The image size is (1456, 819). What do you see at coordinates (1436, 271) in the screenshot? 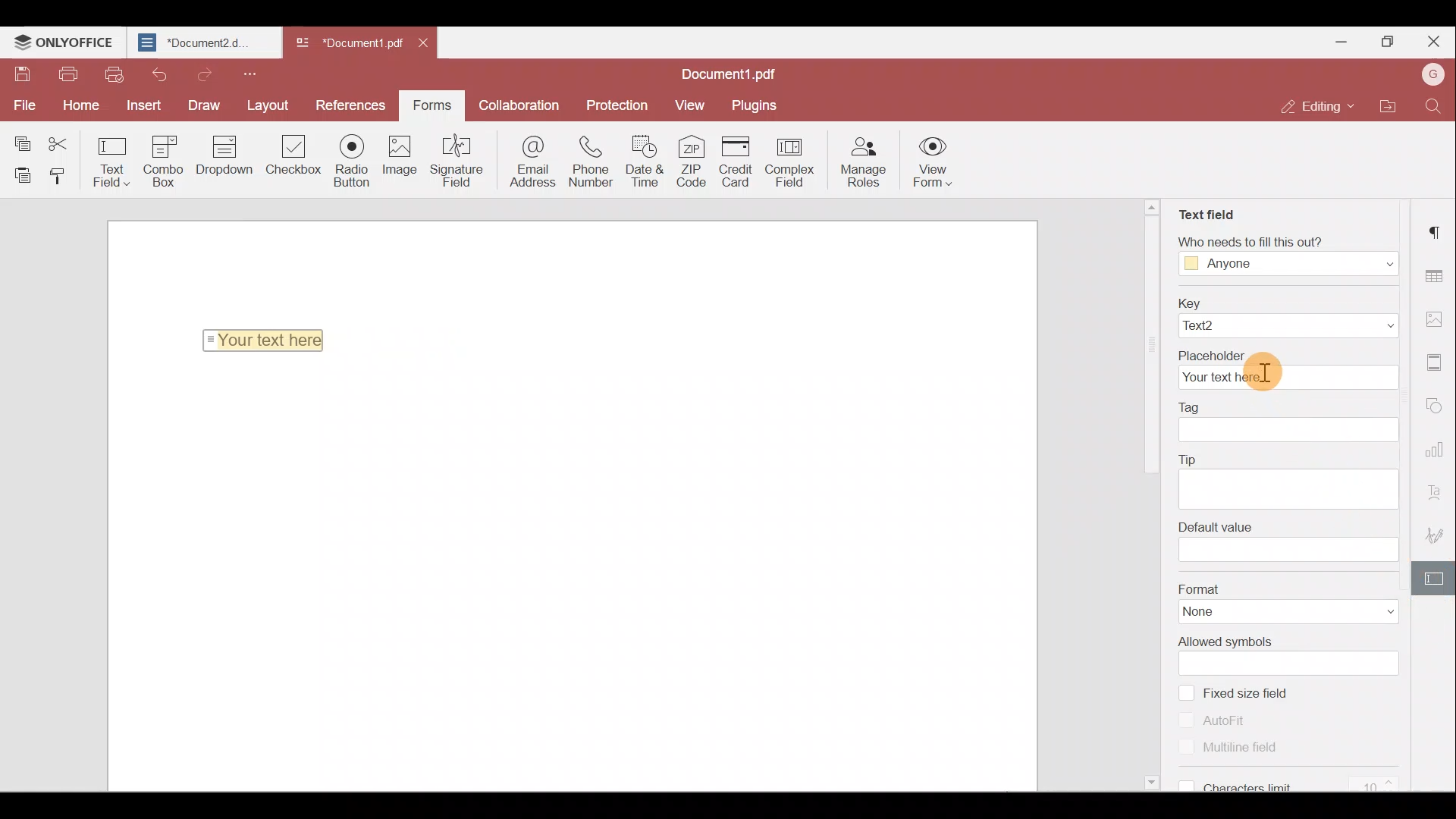
I see `Table settings` at bounding box center [1436, 271].